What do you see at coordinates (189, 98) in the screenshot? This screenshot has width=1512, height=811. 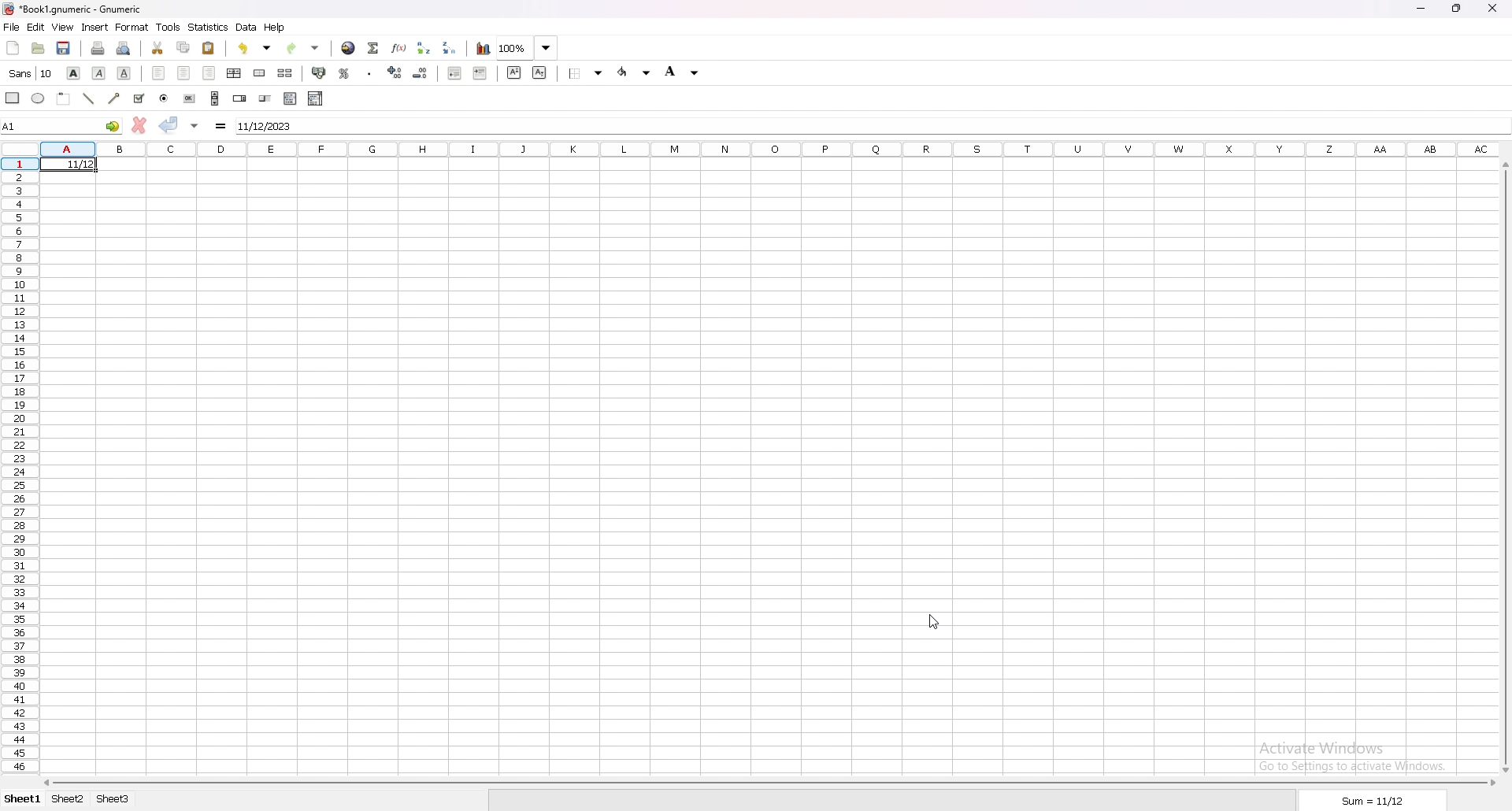 I see `button` at bounding box center [189, 98].